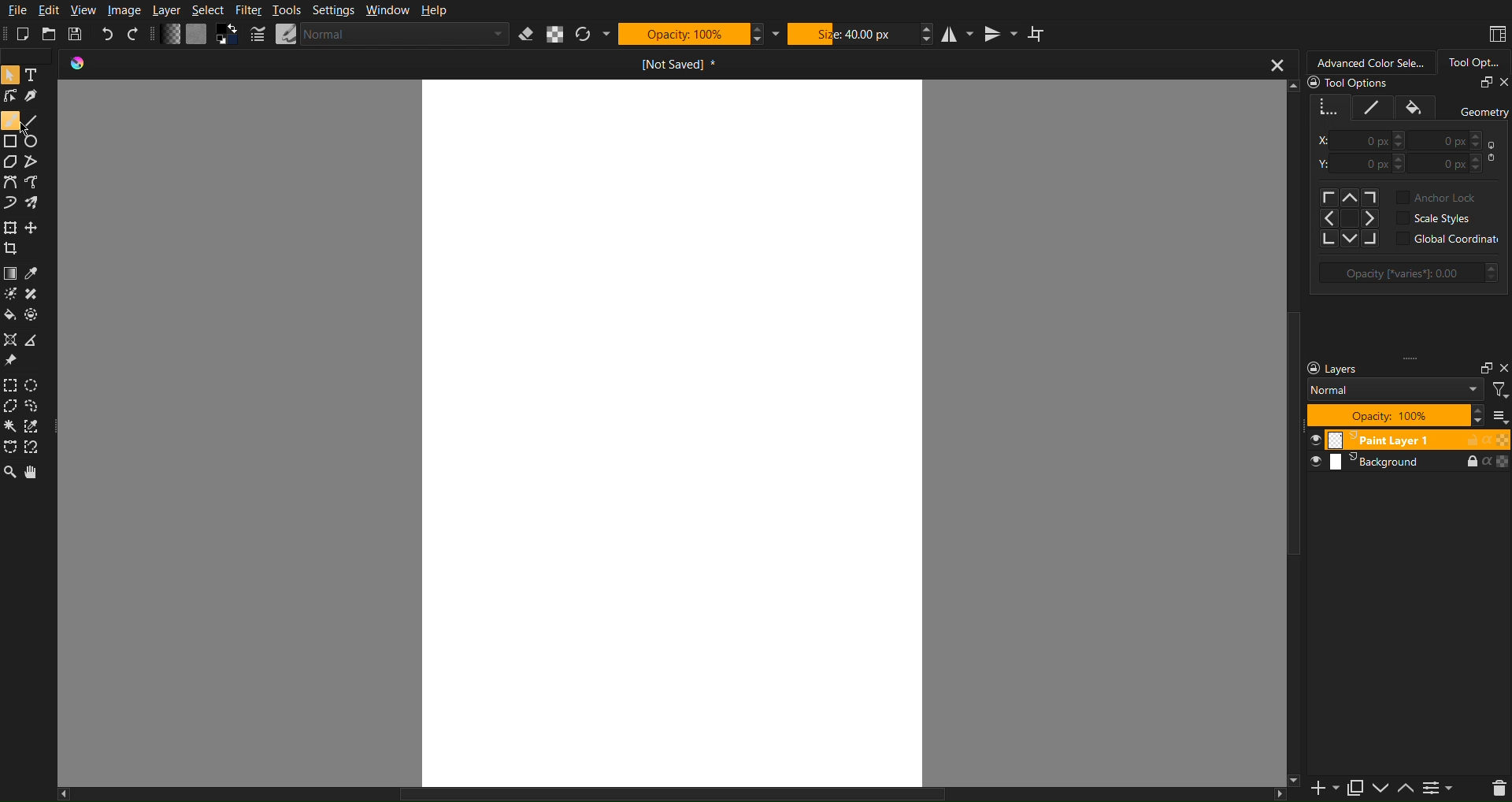  Describe the element at coordinates (39, 408) in the screenshot. I see `Custom Shape Marquee Tool` at that location.